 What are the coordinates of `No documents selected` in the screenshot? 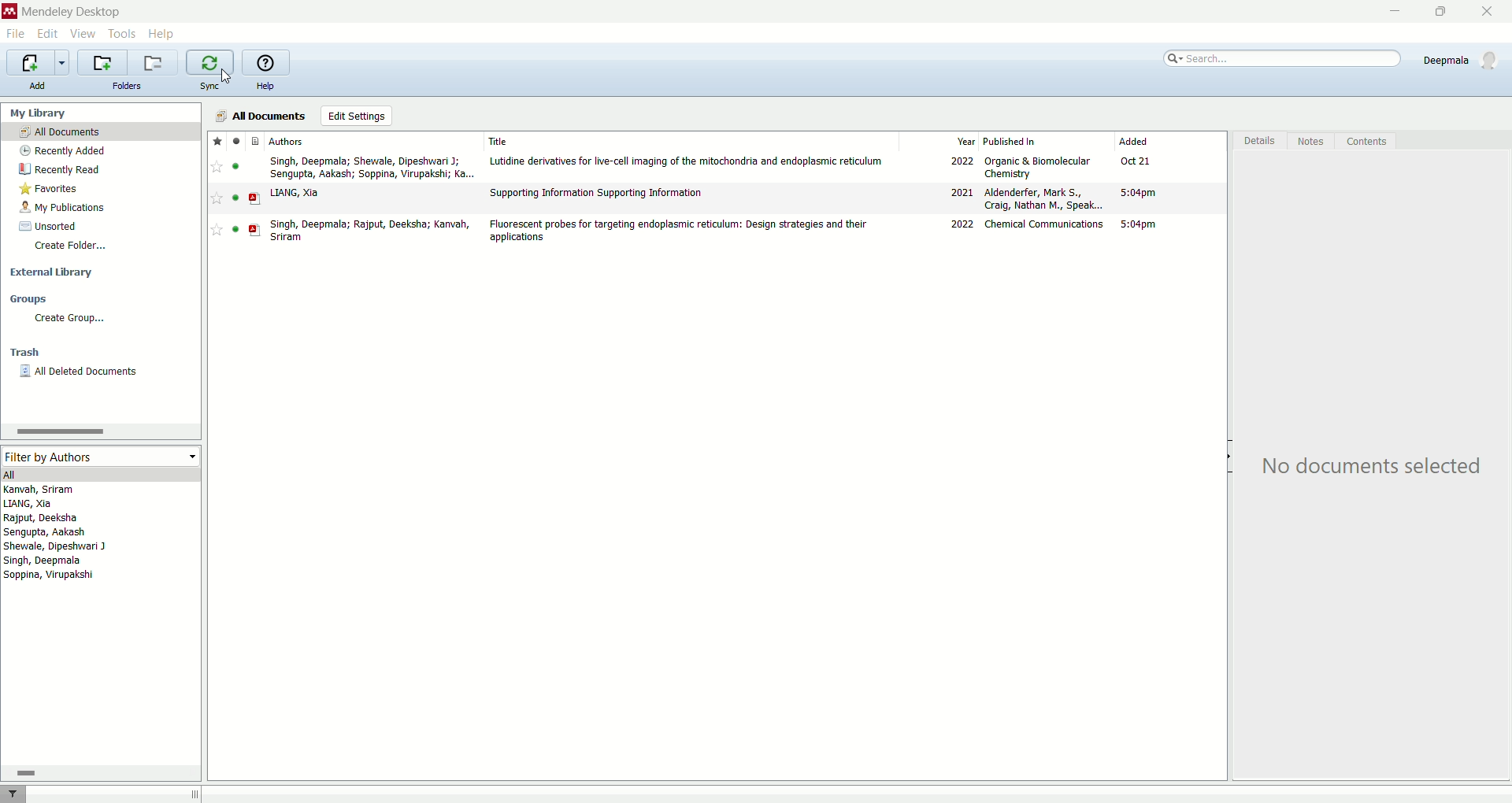 It's located at (1371, 465).